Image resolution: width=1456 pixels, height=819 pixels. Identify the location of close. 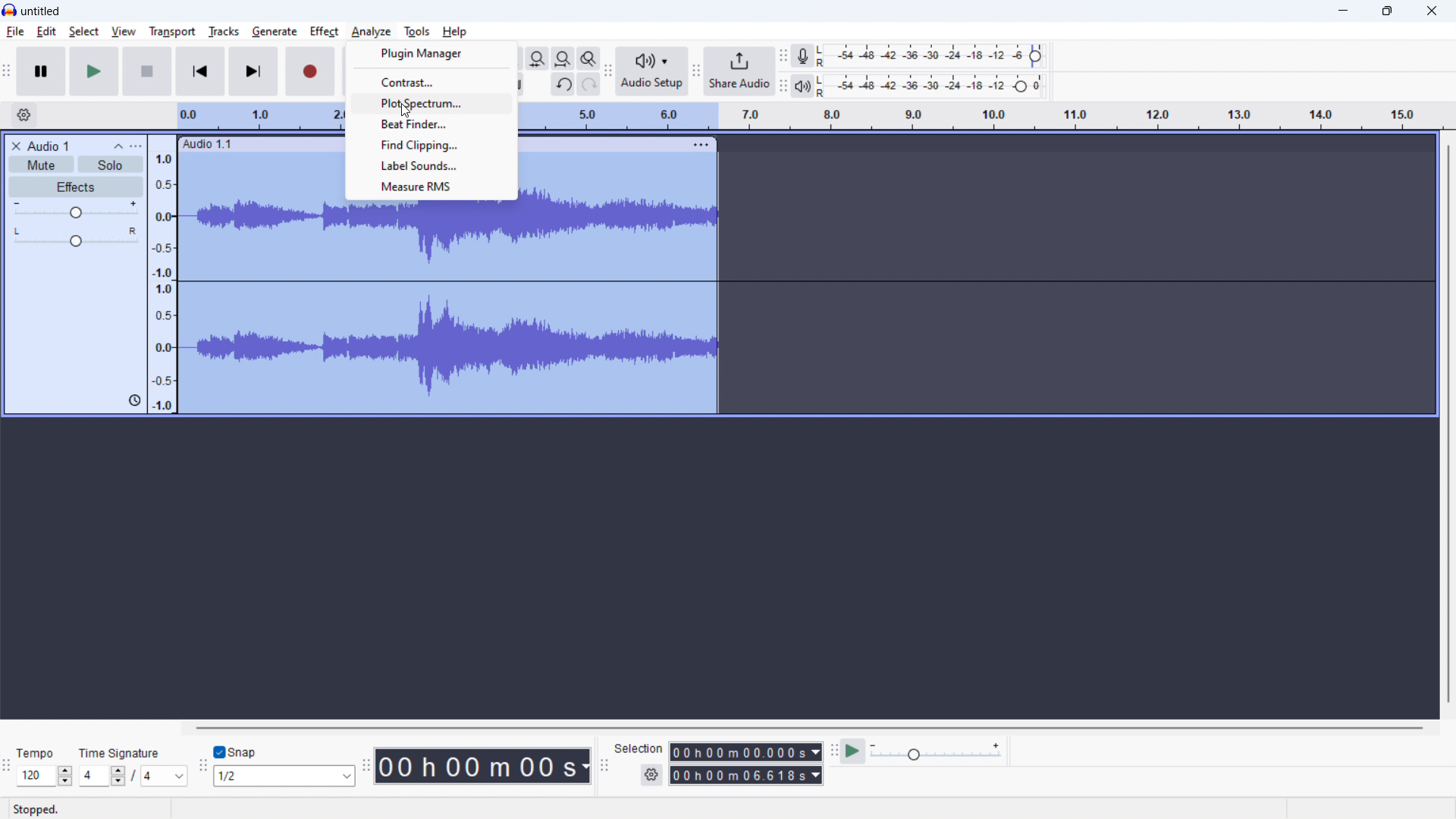
(1432, 11).